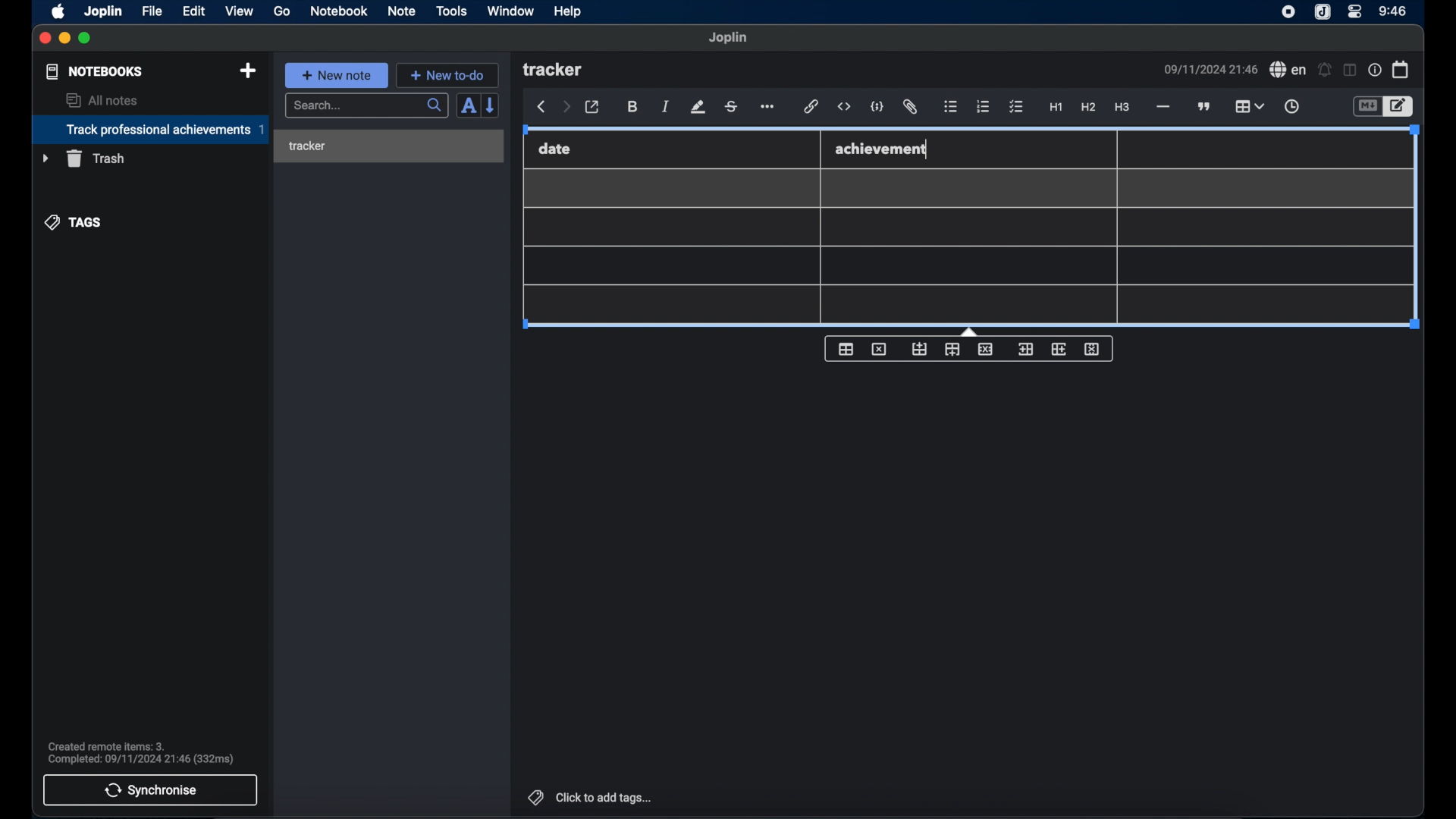 This screenshot has width=1456, height=819. I want to click on insert column before, so click(1025, 349).